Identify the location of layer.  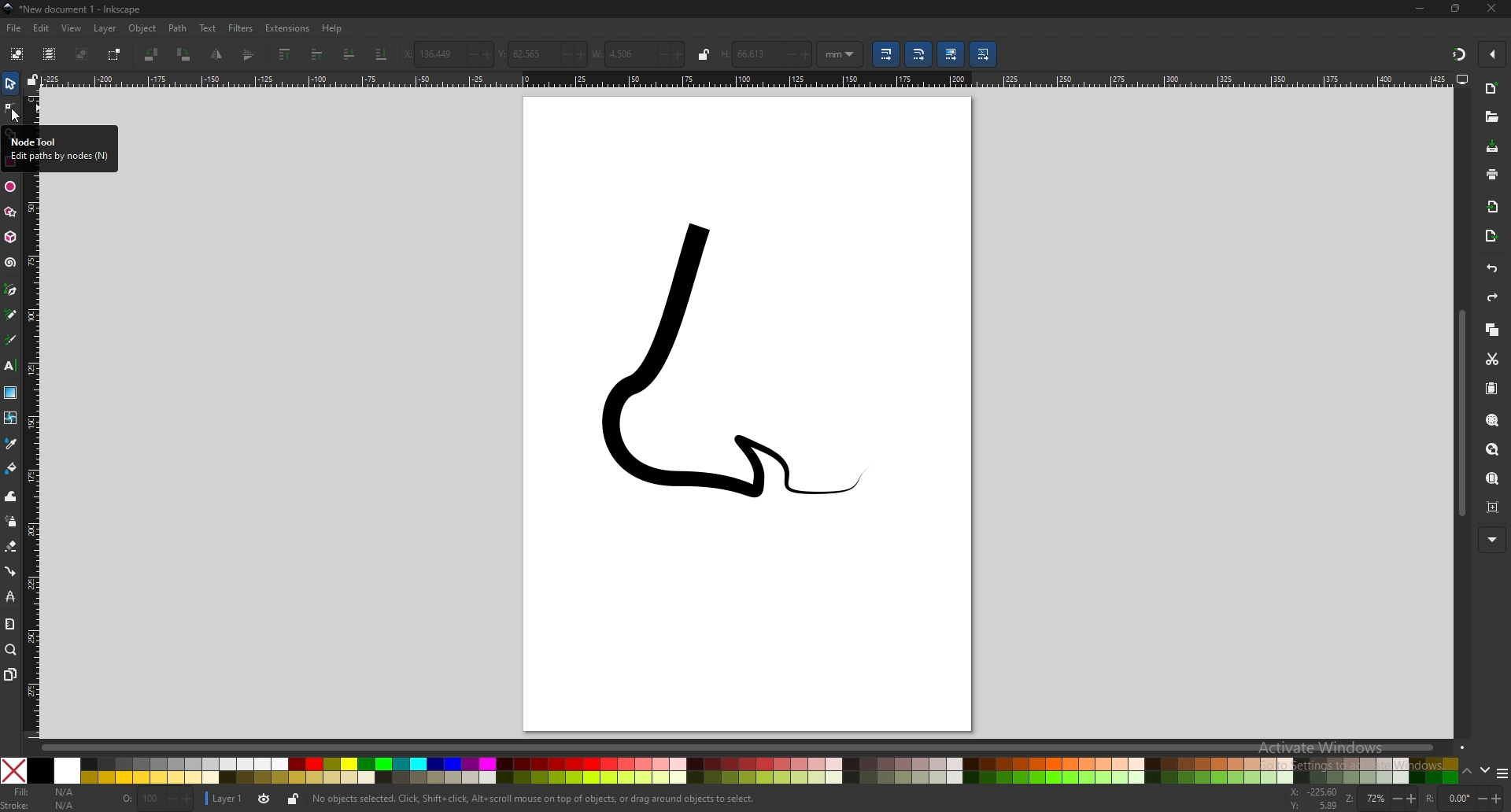
(225, 797).